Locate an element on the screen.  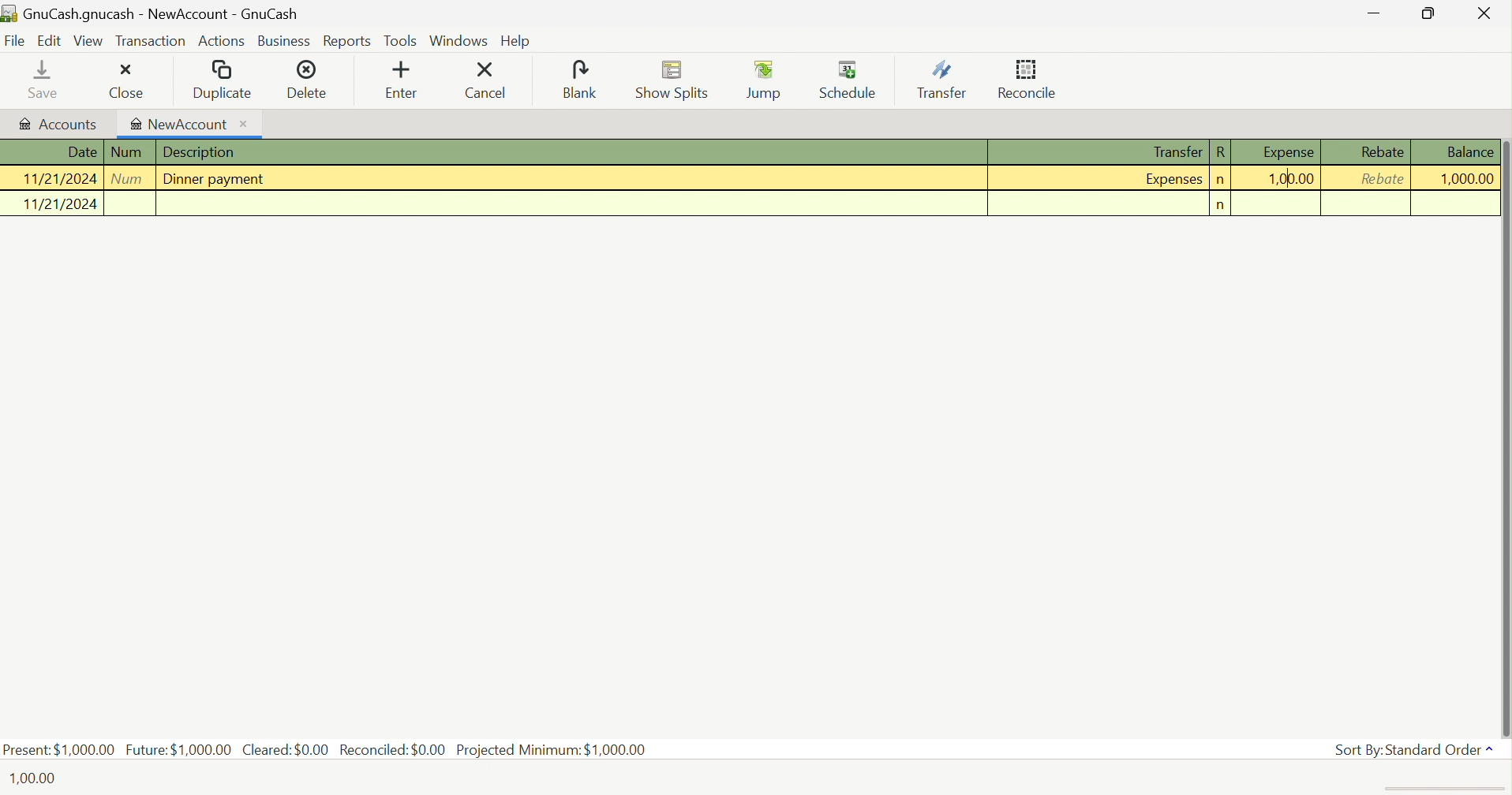
Actions is located at coordinates (223, 43).